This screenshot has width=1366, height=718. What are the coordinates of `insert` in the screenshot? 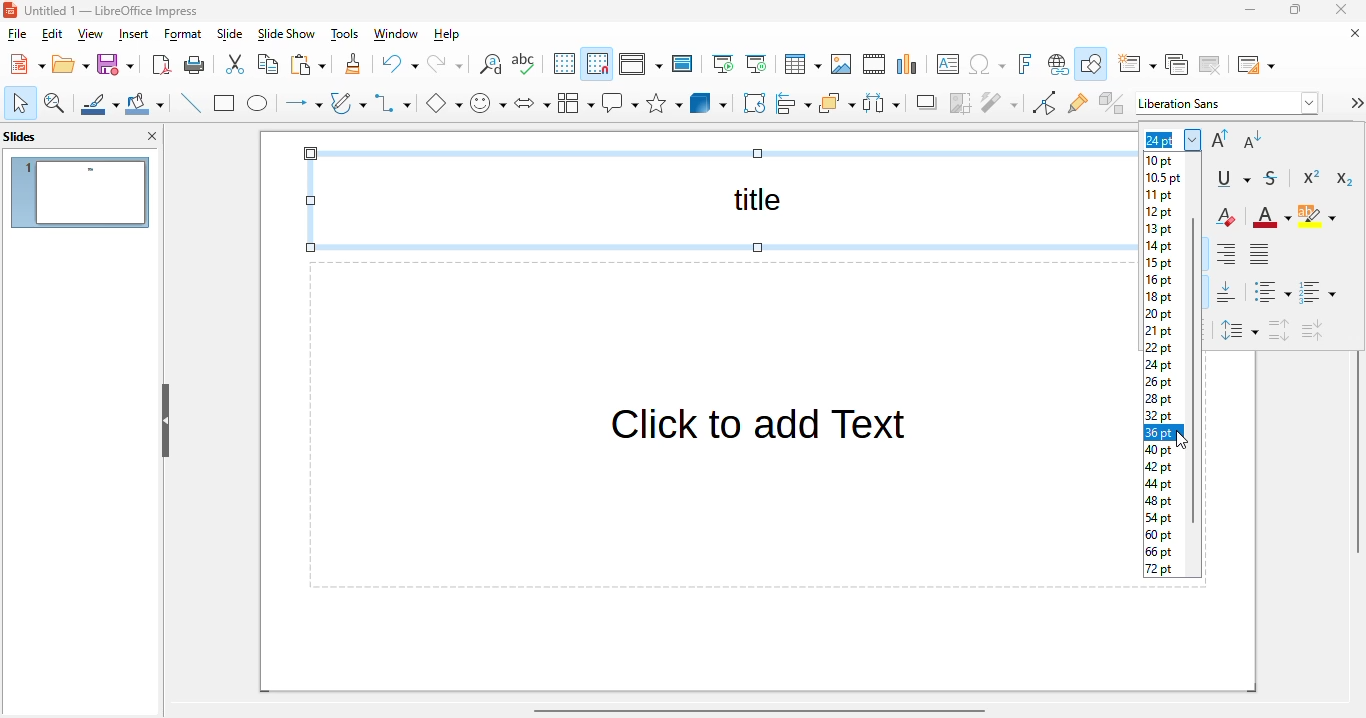 It's located at (134, 35).